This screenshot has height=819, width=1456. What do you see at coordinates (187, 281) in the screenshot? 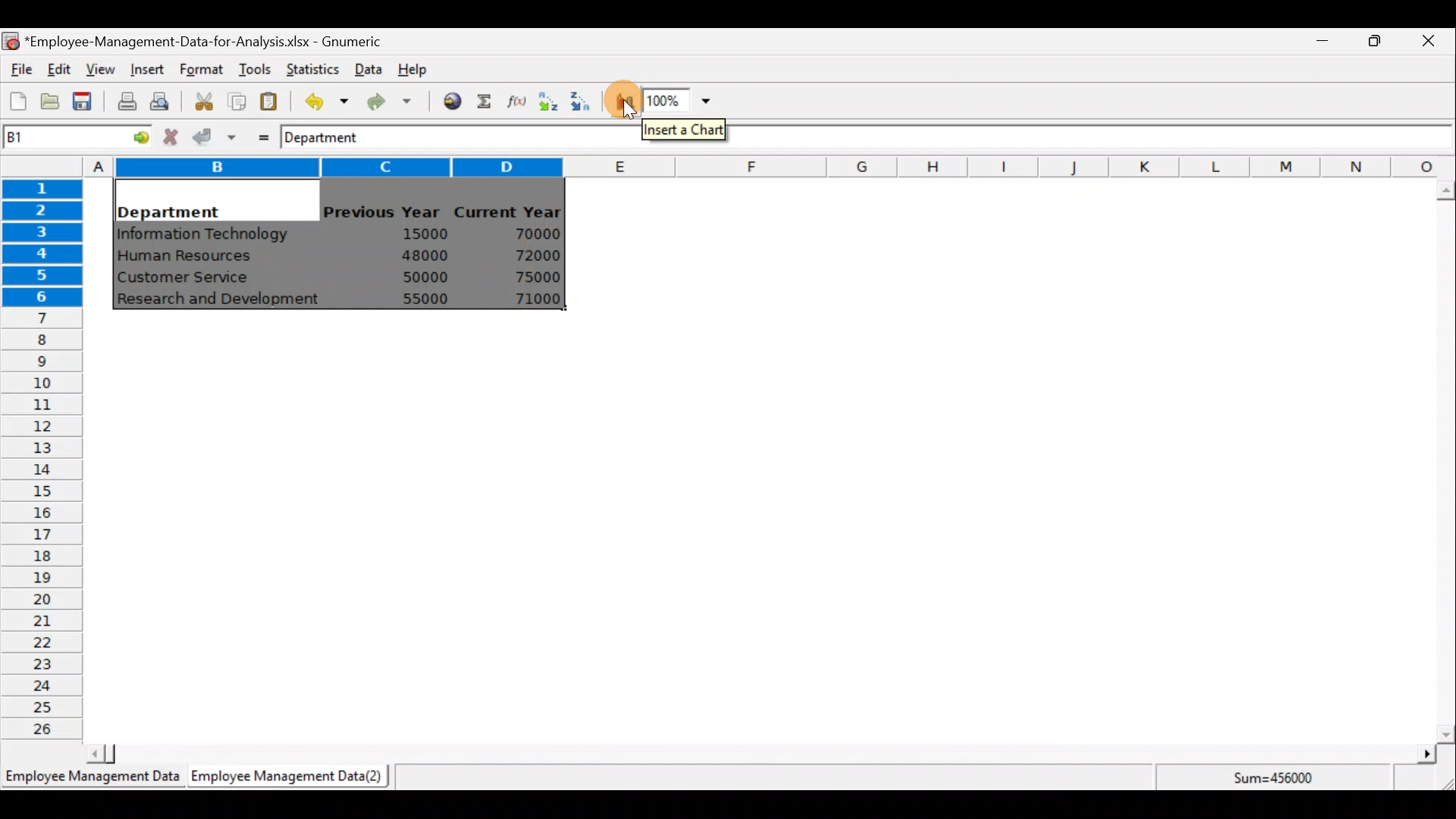
I see `Customer Service` at bounding box center [187, 281].